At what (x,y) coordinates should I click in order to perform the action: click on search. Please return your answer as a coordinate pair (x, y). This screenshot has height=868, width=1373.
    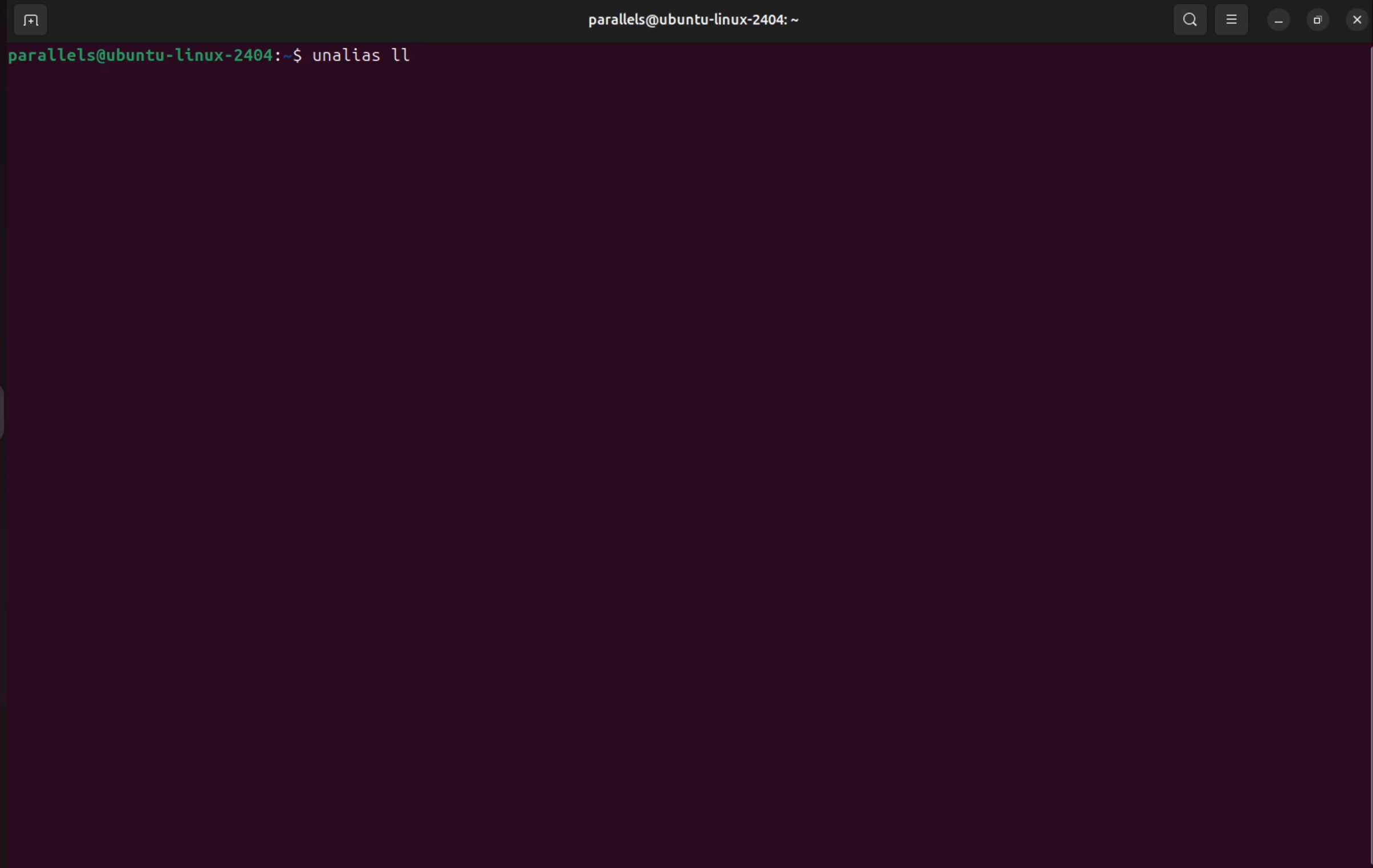
    Looking at the image, I should click on (1187, 19).